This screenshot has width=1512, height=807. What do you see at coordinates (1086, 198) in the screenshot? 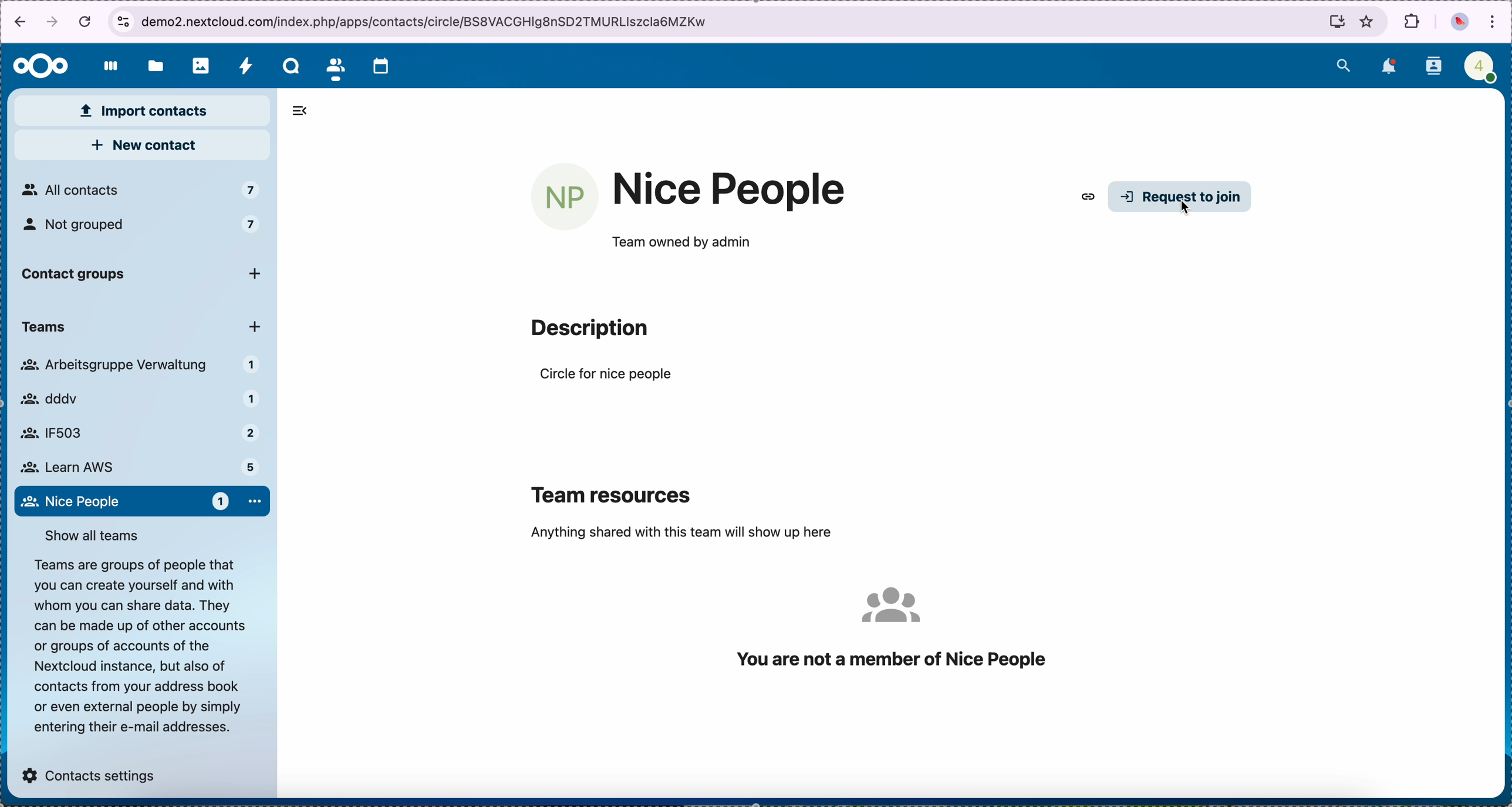
I see `copy hyperlink` at bounding box center [1086, 198].